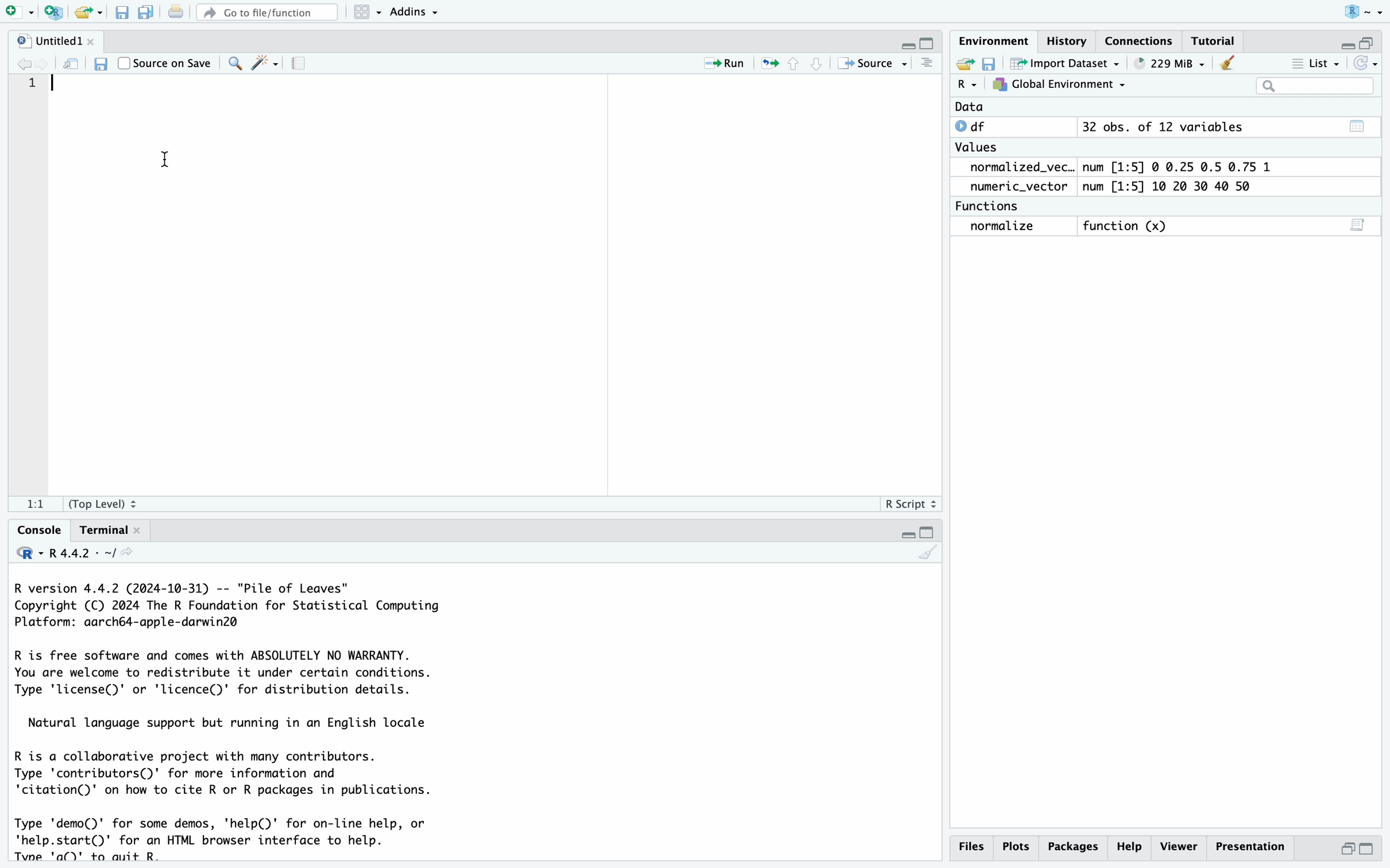  I want to click on R dropdown, so click(967, 84).